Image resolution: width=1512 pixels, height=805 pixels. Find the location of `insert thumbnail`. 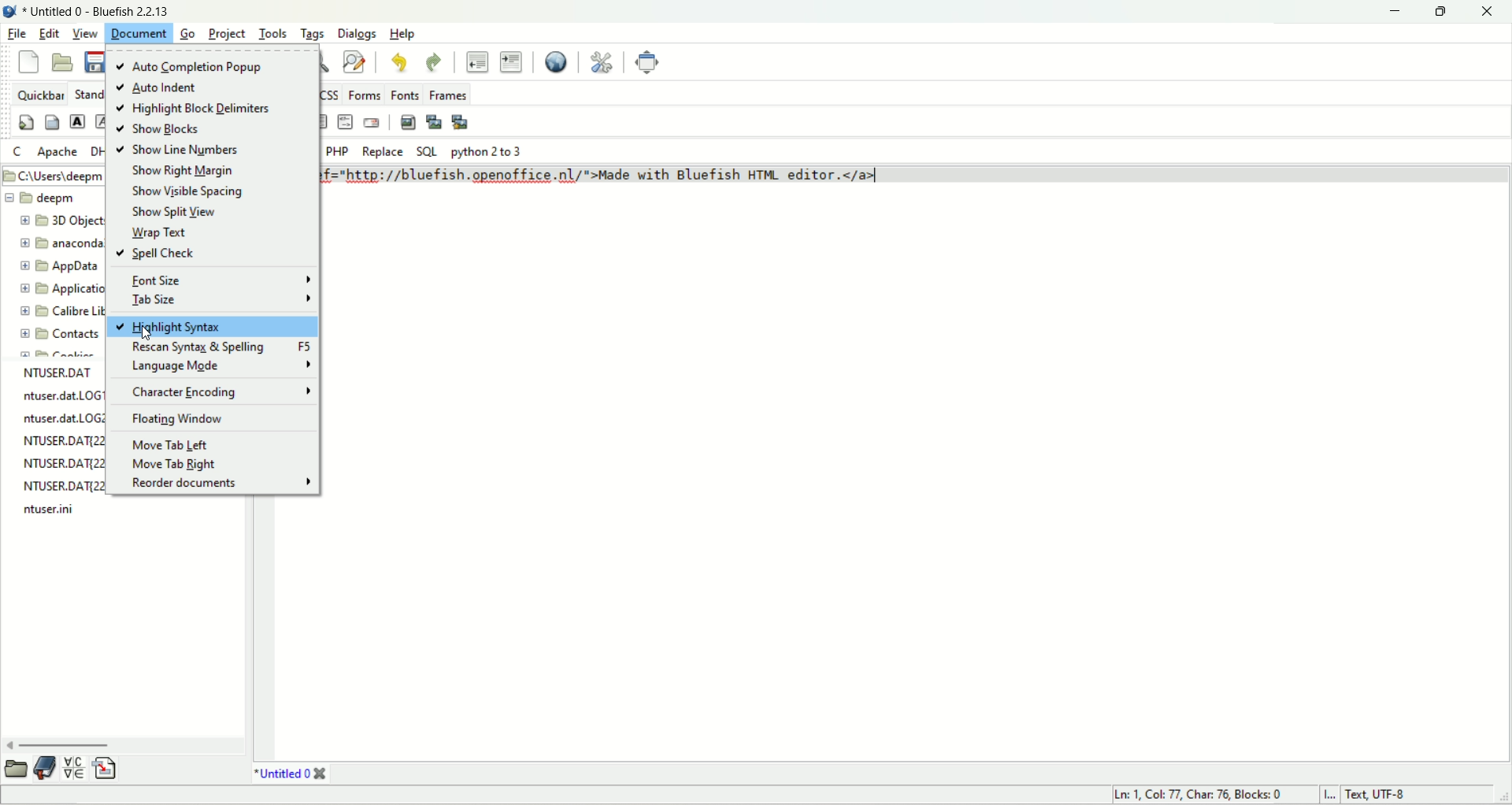

insert thumbnail is located at coordinates (434, 124).